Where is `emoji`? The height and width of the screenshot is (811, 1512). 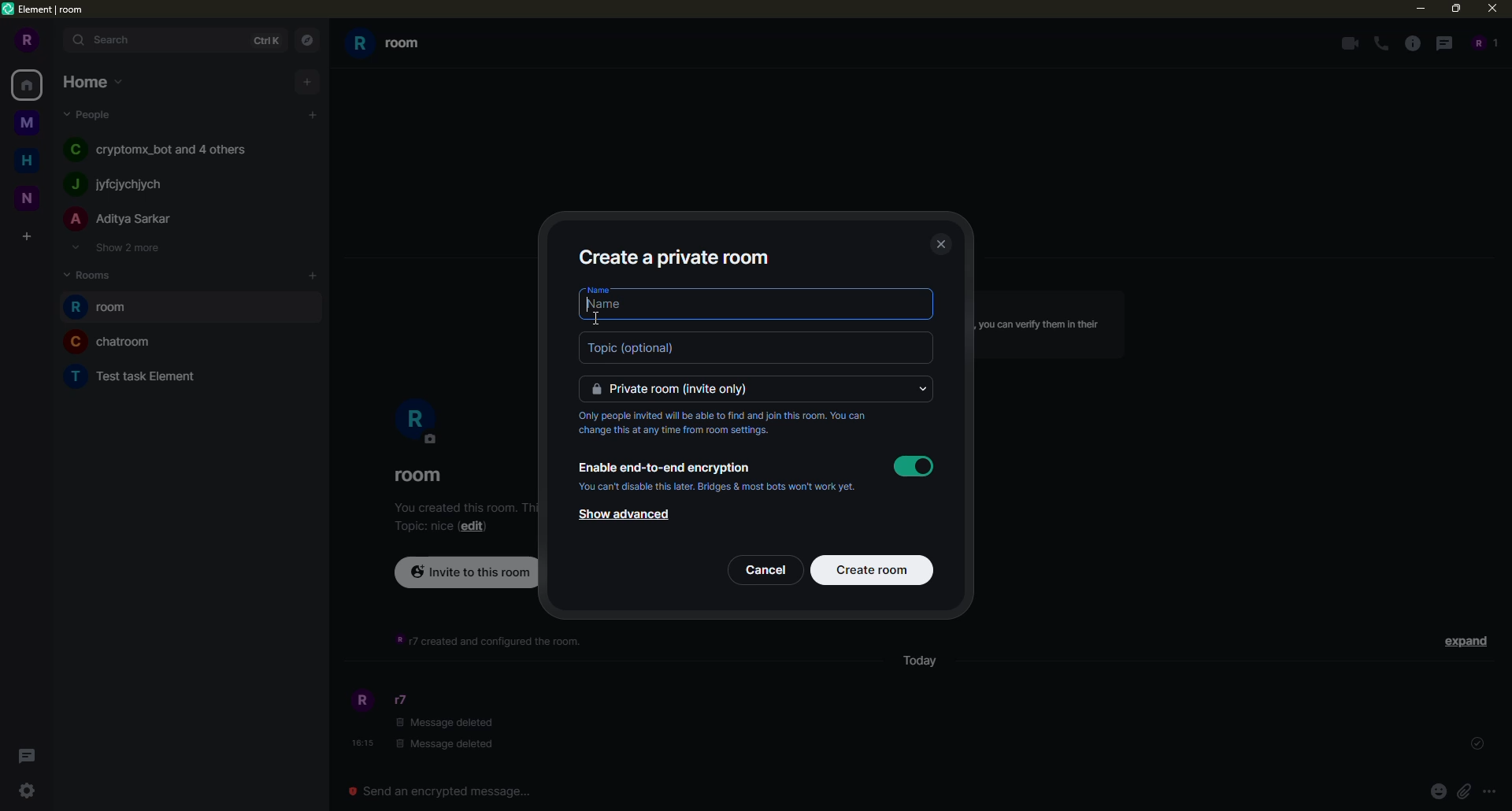
emoji is located at coordinates (1438, 791).